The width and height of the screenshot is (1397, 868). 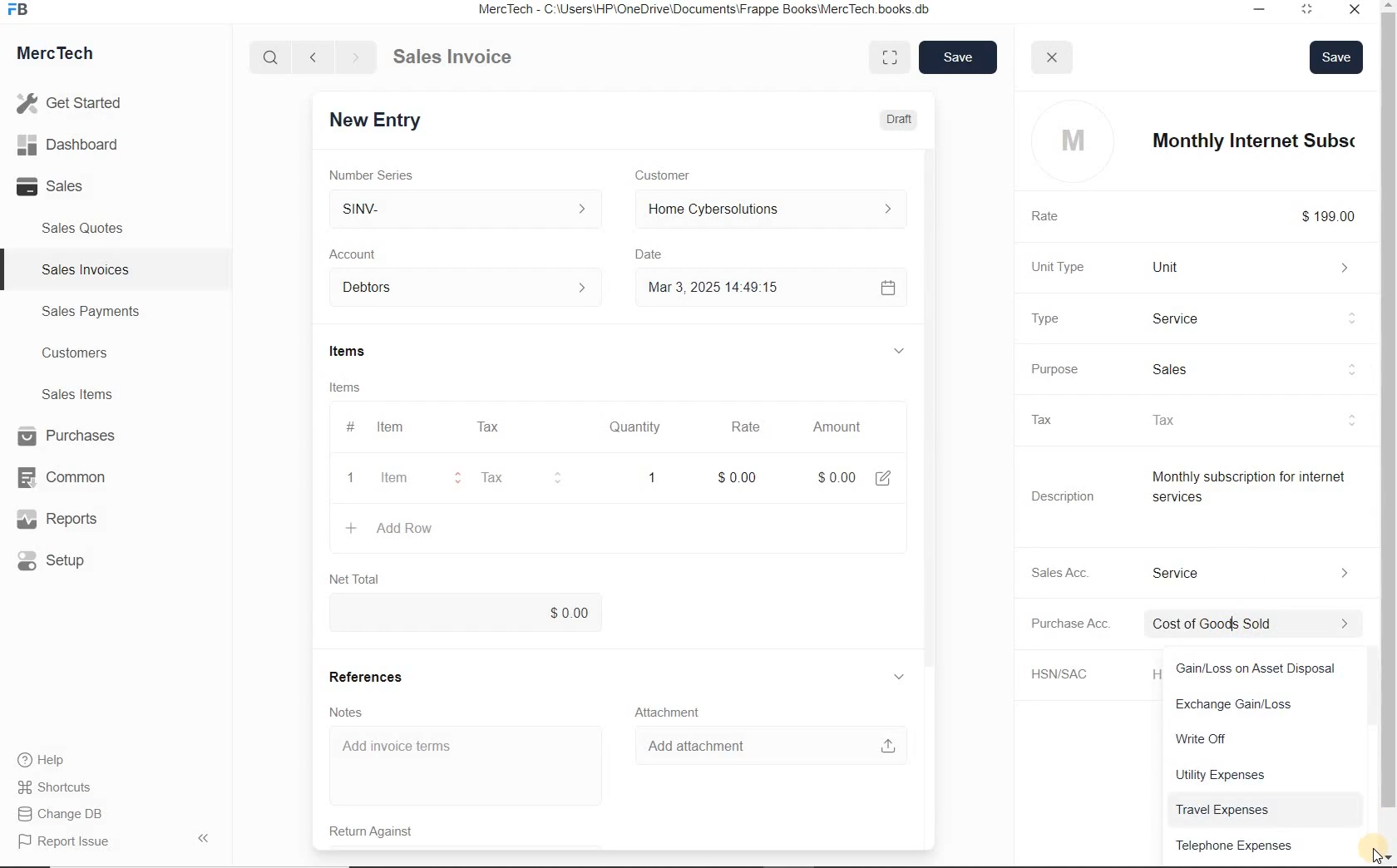 I want to click on Hide Sidebar, so click(x=202, y=837).